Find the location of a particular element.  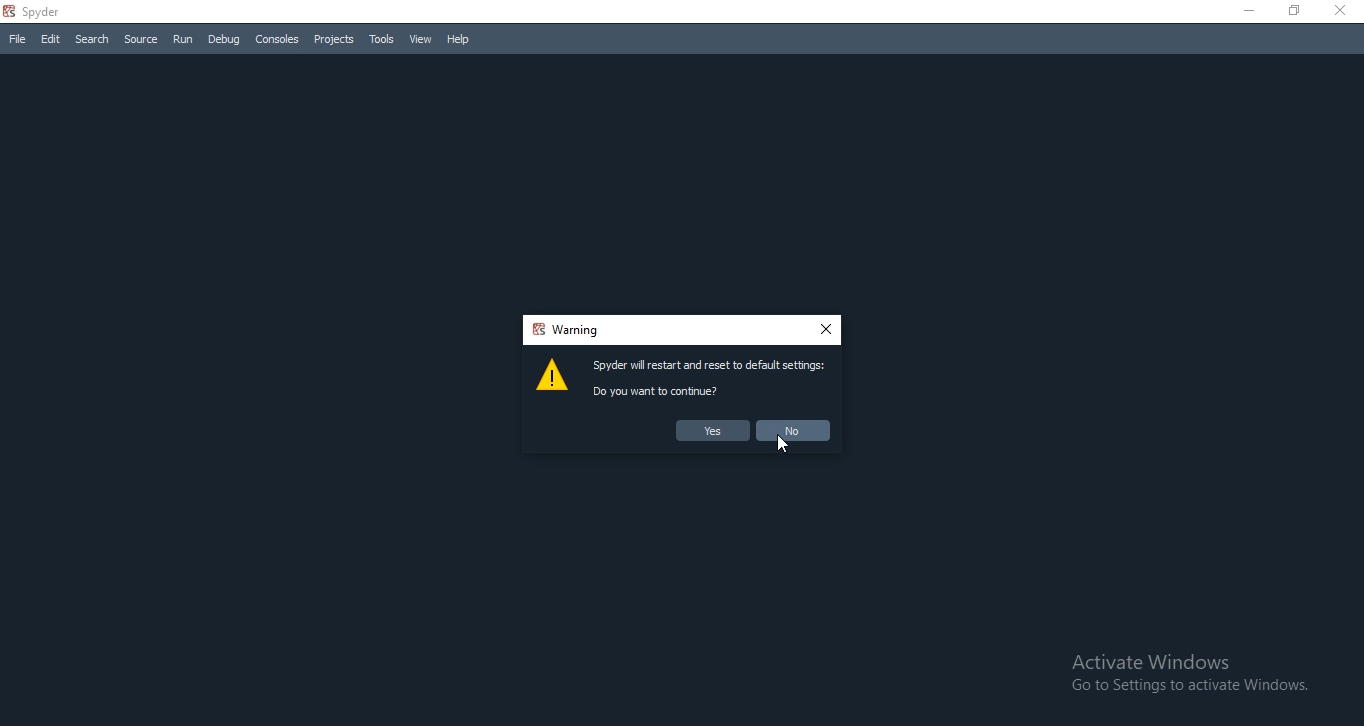

Activate Windows
Go to Settings to activate Windows. is located at coordinates (1198, 677).